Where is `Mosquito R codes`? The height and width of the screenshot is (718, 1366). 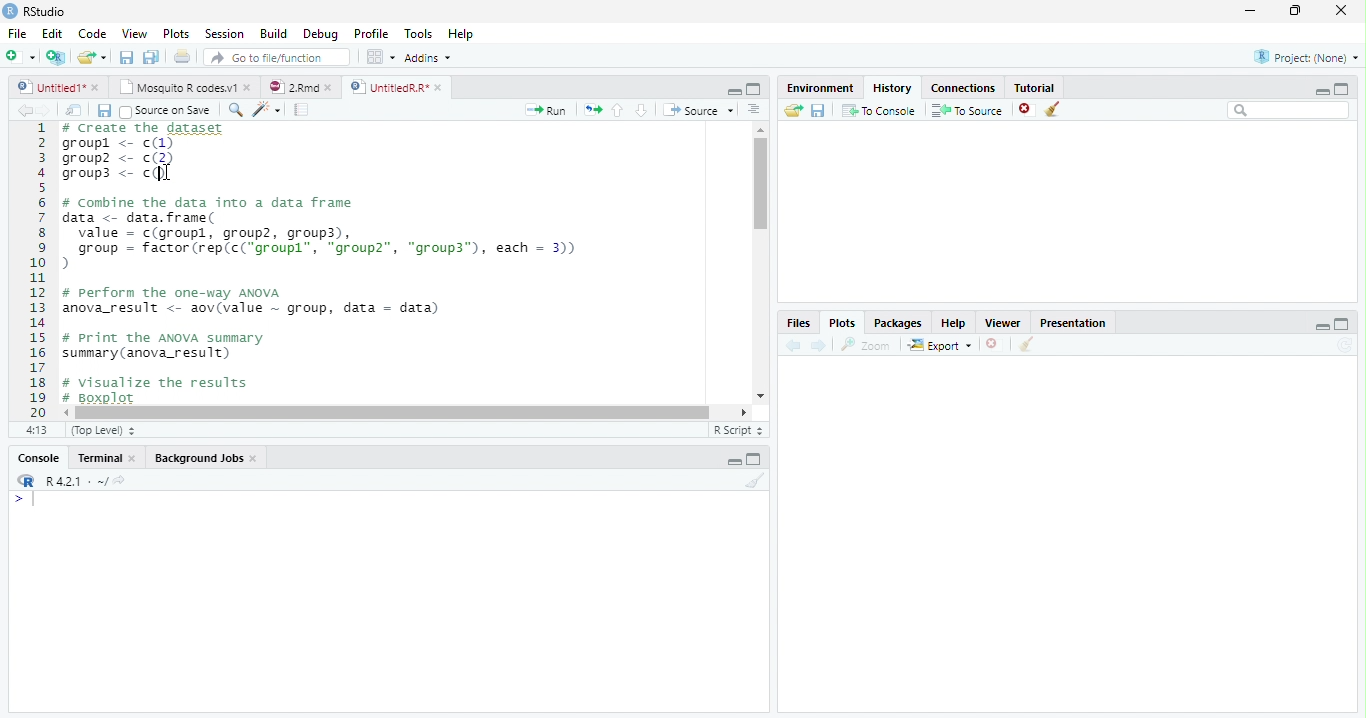 Mosquito R codes is located at coordinates (184, 87).